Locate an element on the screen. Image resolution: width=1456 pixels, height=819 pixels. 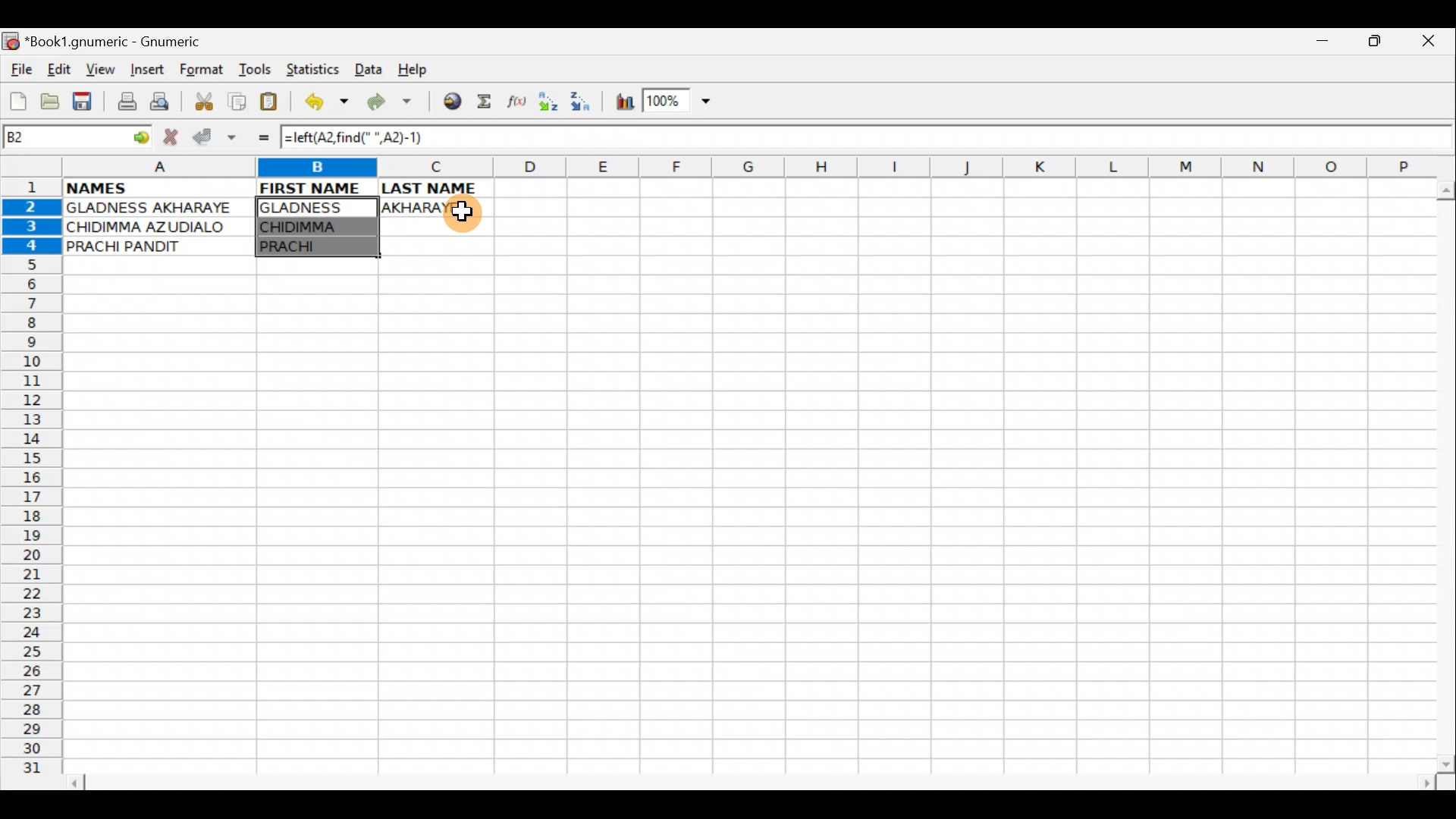
Minimize is located at coordinates (1319, 45).